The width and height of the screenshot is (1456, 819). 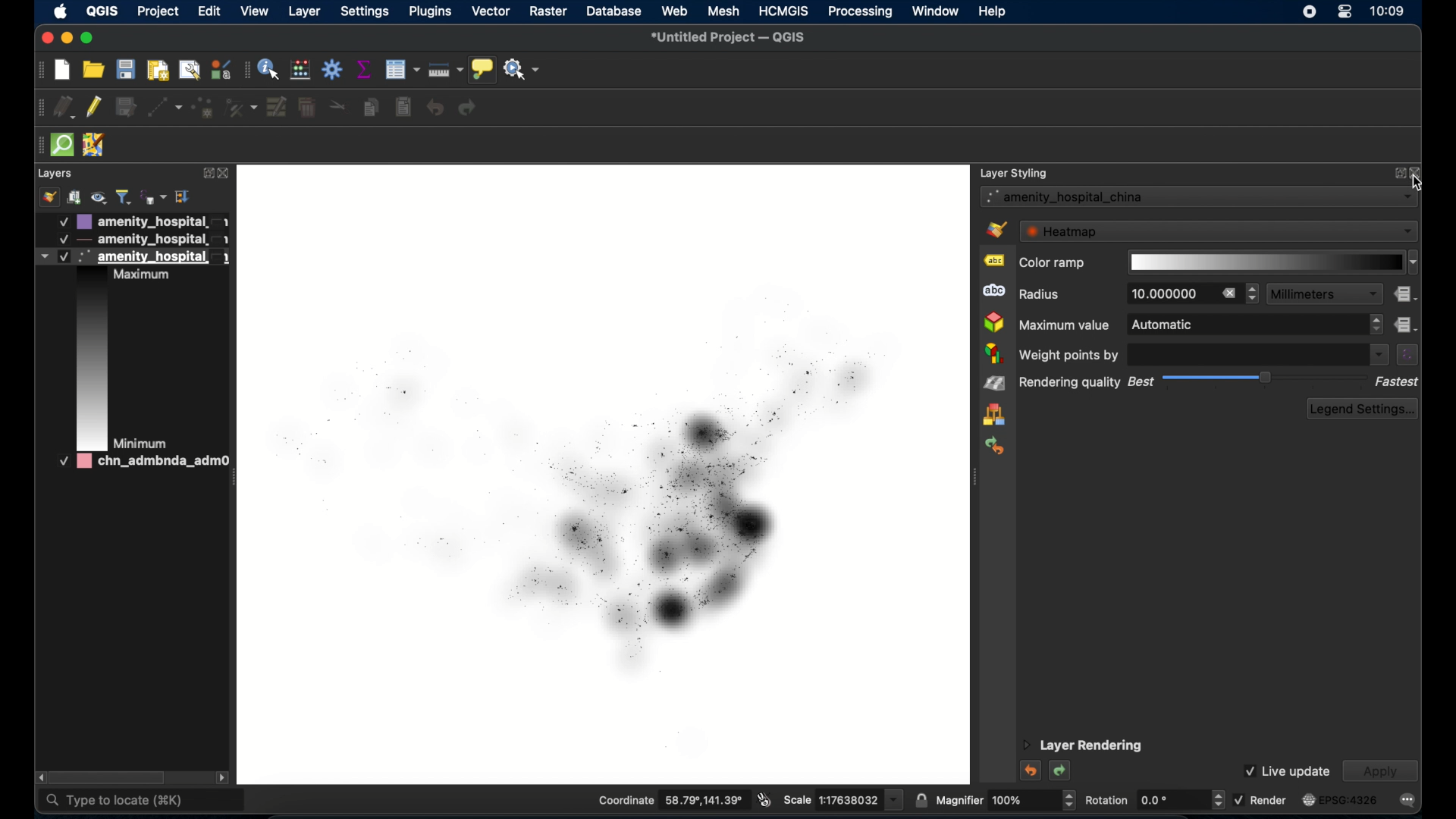 What do you see at coordinates (338, 107) in the screenshot?
I see `cut features` at bounding box center [338, 107].